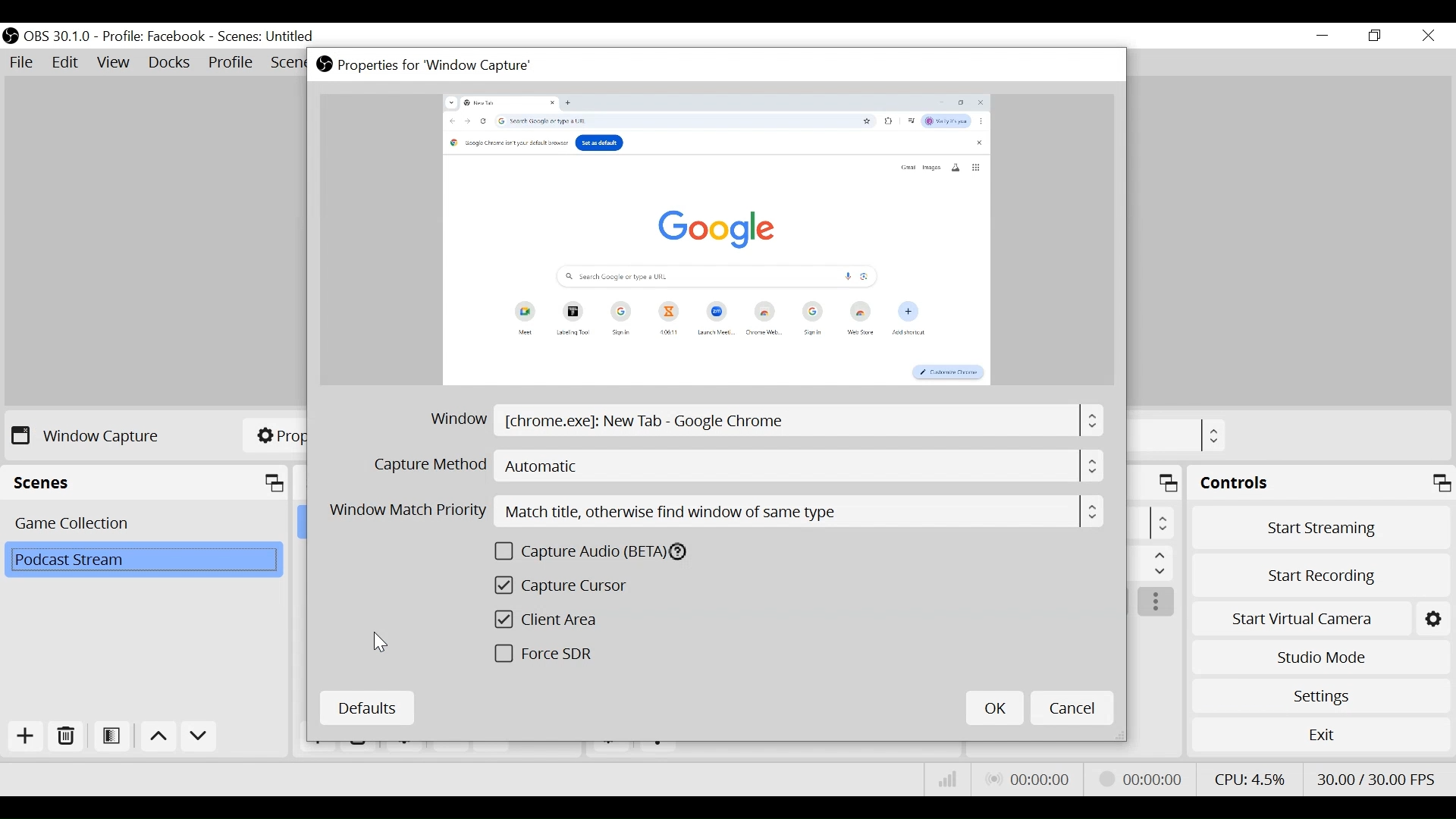 The height and width of the screenshot is (819, 1456). I want to click on Add, so click(24, 736).